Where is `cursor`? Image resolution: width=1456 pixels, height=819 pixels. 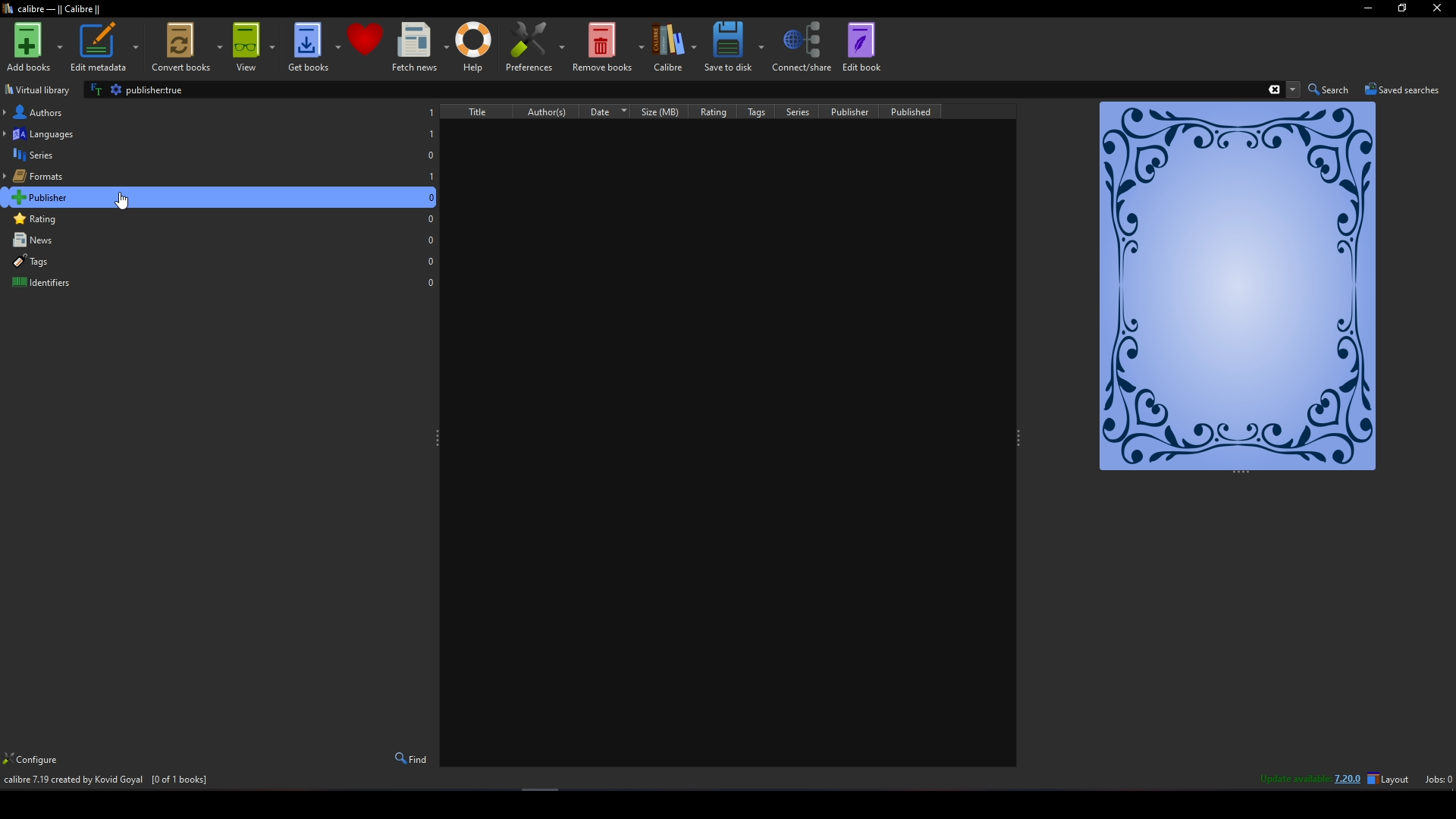 cursor is located at coordinates (127, 200).